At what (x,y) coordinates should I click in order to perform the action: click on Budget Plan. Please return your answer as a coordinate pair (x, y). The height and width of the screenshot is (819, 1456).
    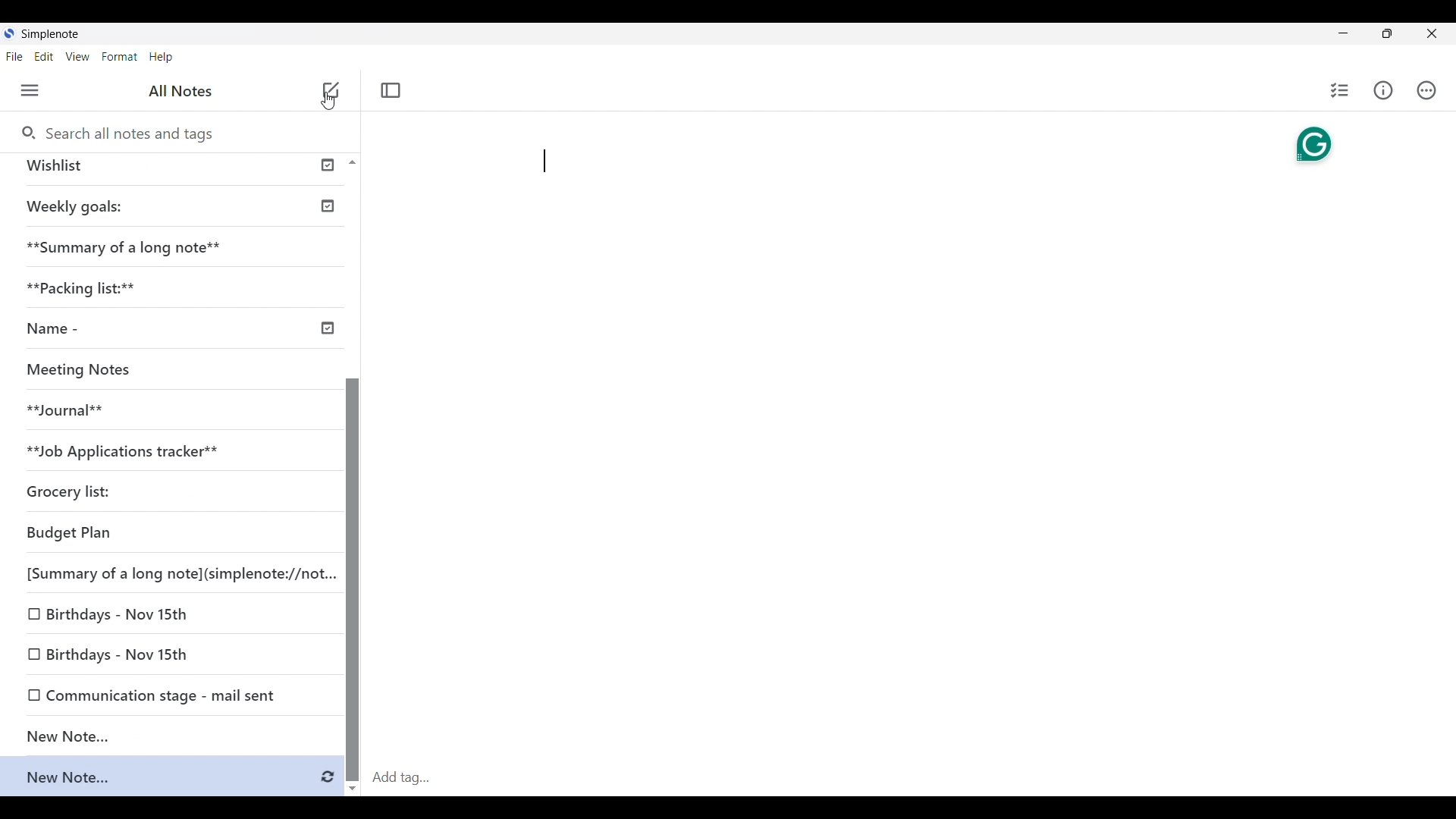
    Looking at the image, I should click on (74, 531).